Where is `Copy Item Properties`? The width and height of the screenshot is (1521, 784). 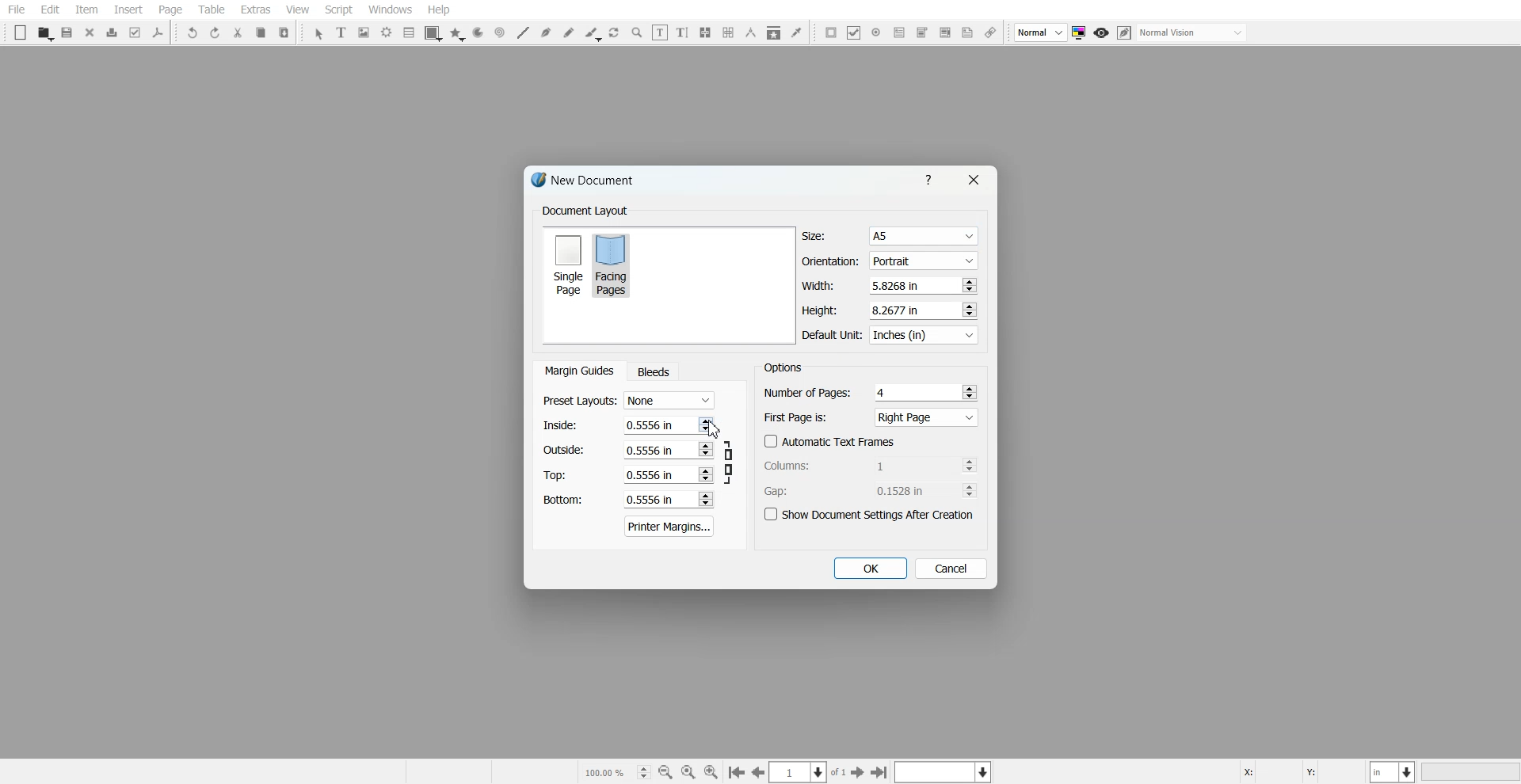
Copy Item Properties is located at coordinates (774, 32).